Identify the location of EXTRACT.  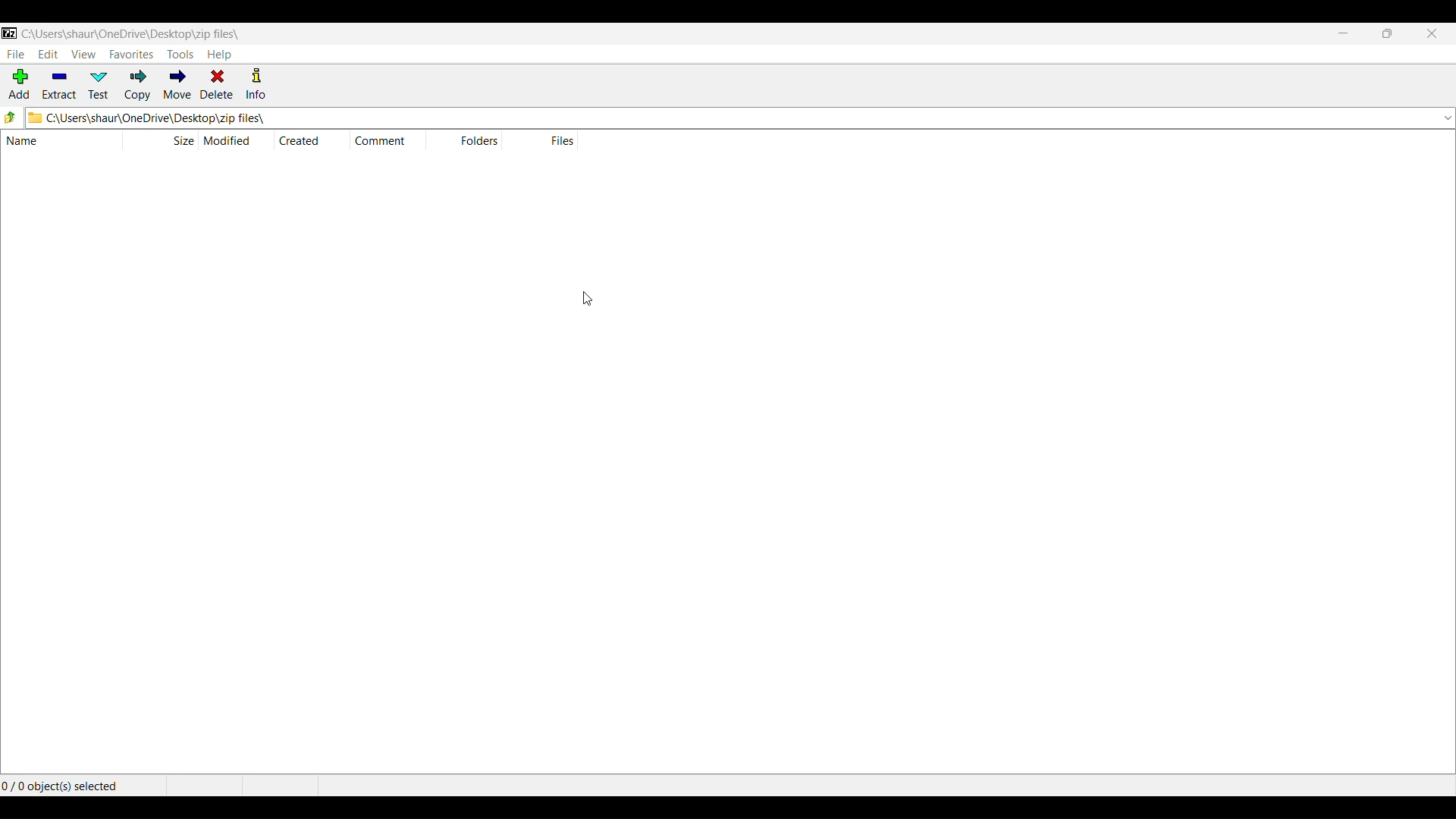
(58, 86).